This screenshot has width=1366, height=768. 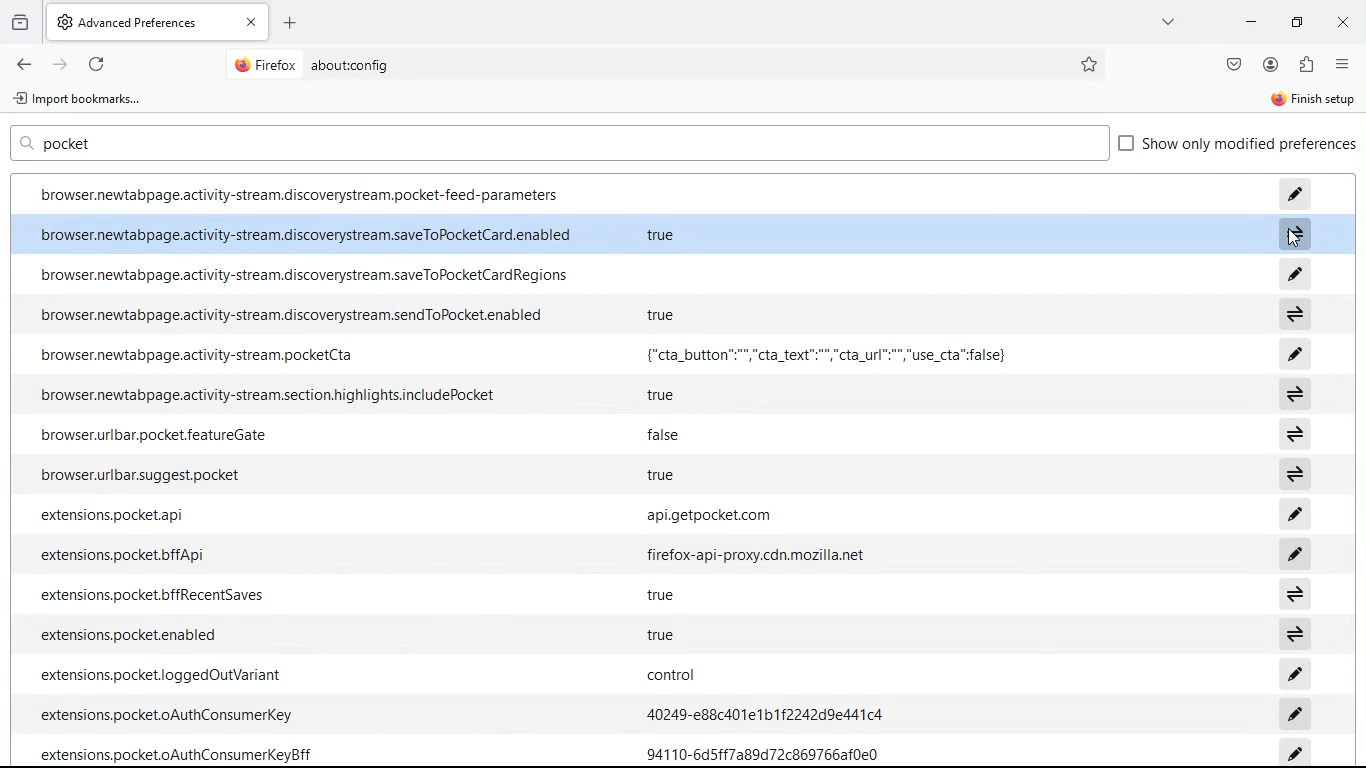 What do you see at coordinates (560, 142) in the screenshot?
I see `search box` at bounding box center [560, 142].